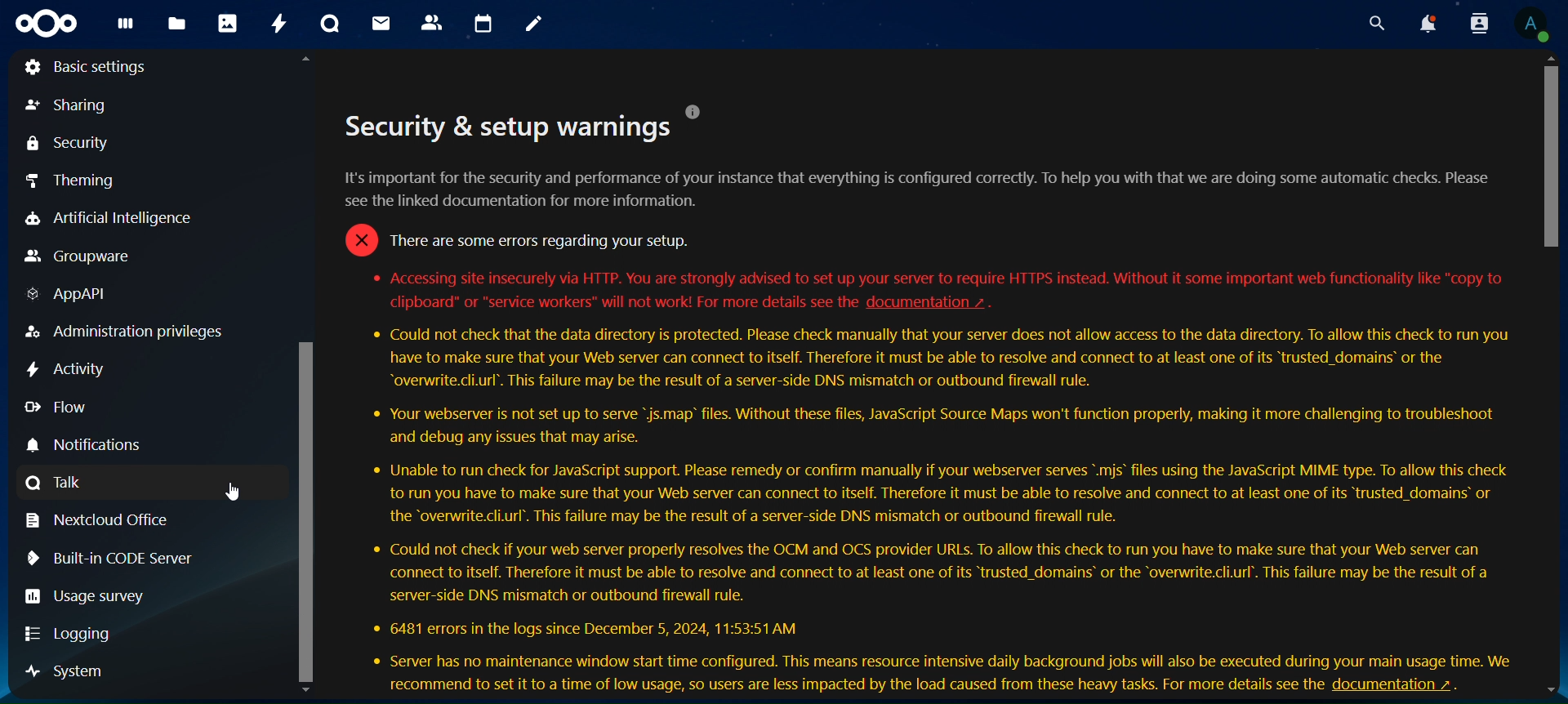 The width and height of the screenshot is (1568, 704). I want to click on talk, so click(327, 25).